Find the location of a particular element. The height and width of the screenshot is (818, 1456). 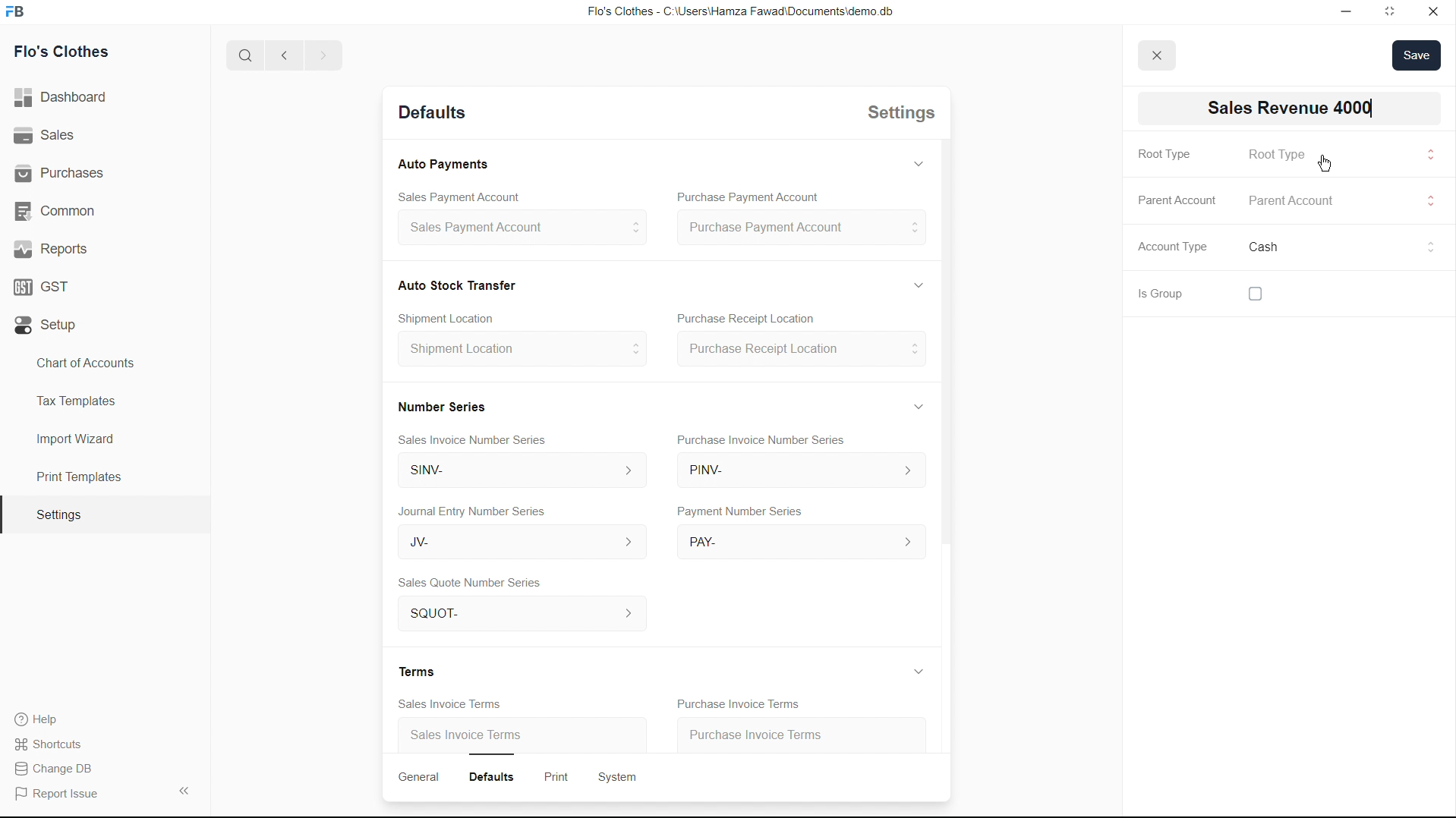

Cash is located at coordinates (458, 284).